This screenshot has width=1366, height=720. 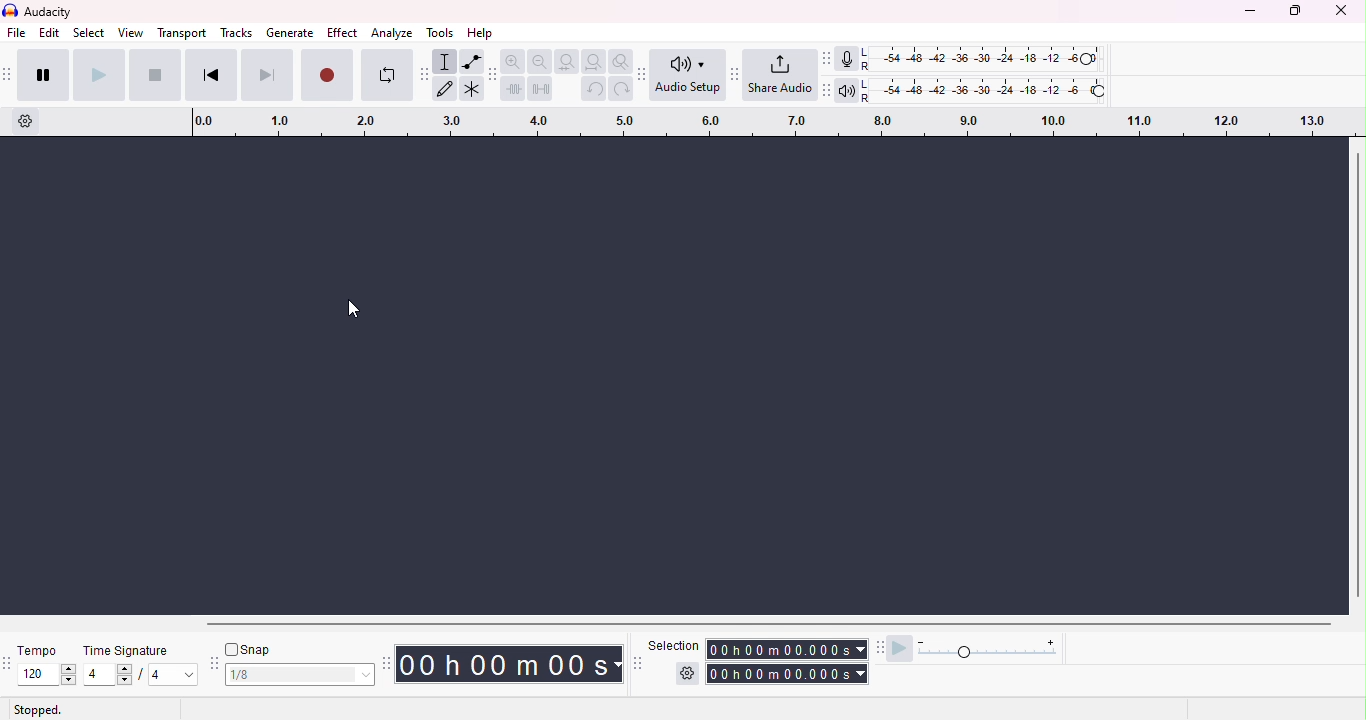 I want to click on tools, so click(x=441, y=33).